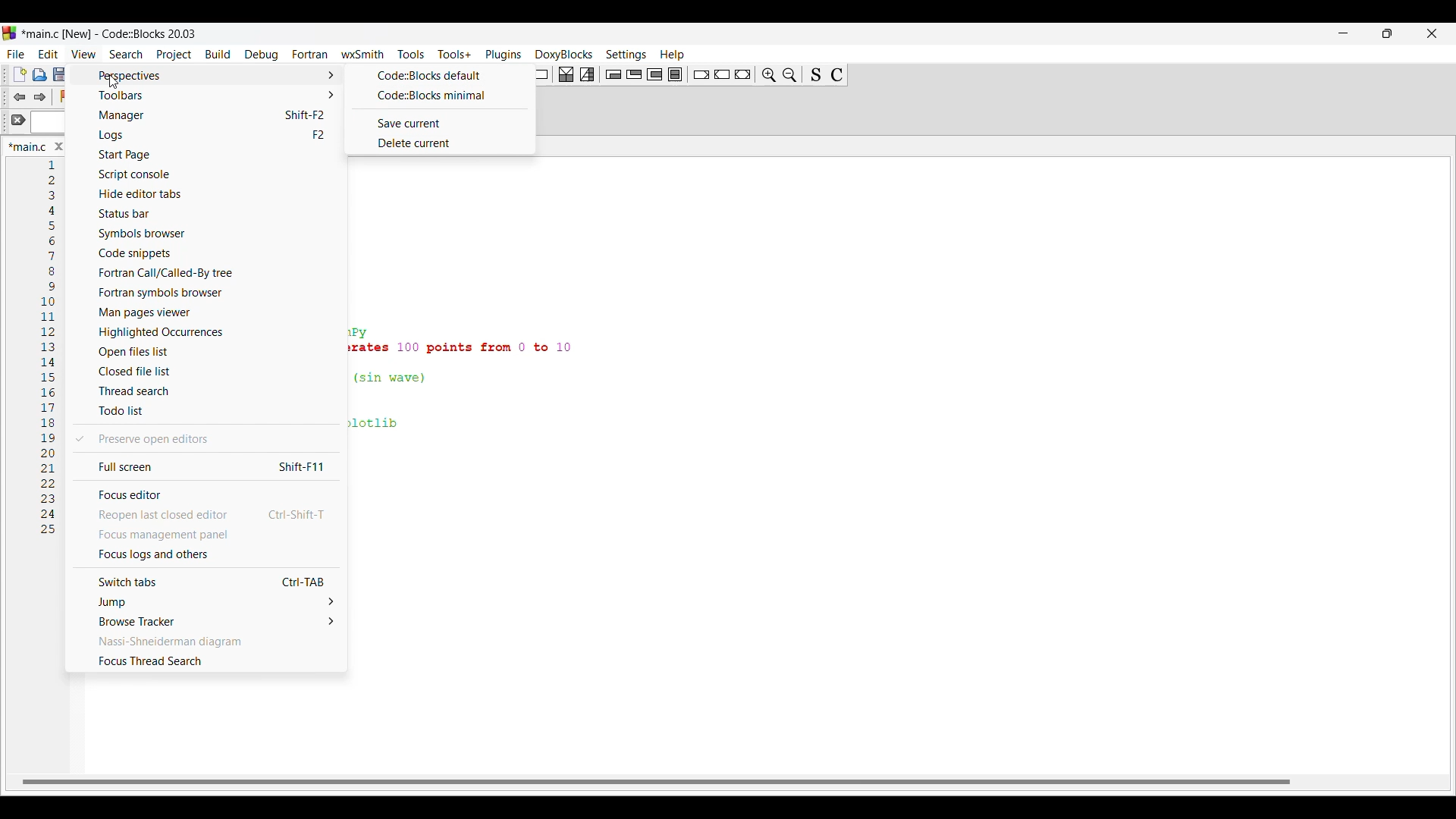 This screenshot has width=1456, height=819. What do you see at coordinates (126, 55) in the screenshot?
I see `Search menu` at bounding box center [126, 55].